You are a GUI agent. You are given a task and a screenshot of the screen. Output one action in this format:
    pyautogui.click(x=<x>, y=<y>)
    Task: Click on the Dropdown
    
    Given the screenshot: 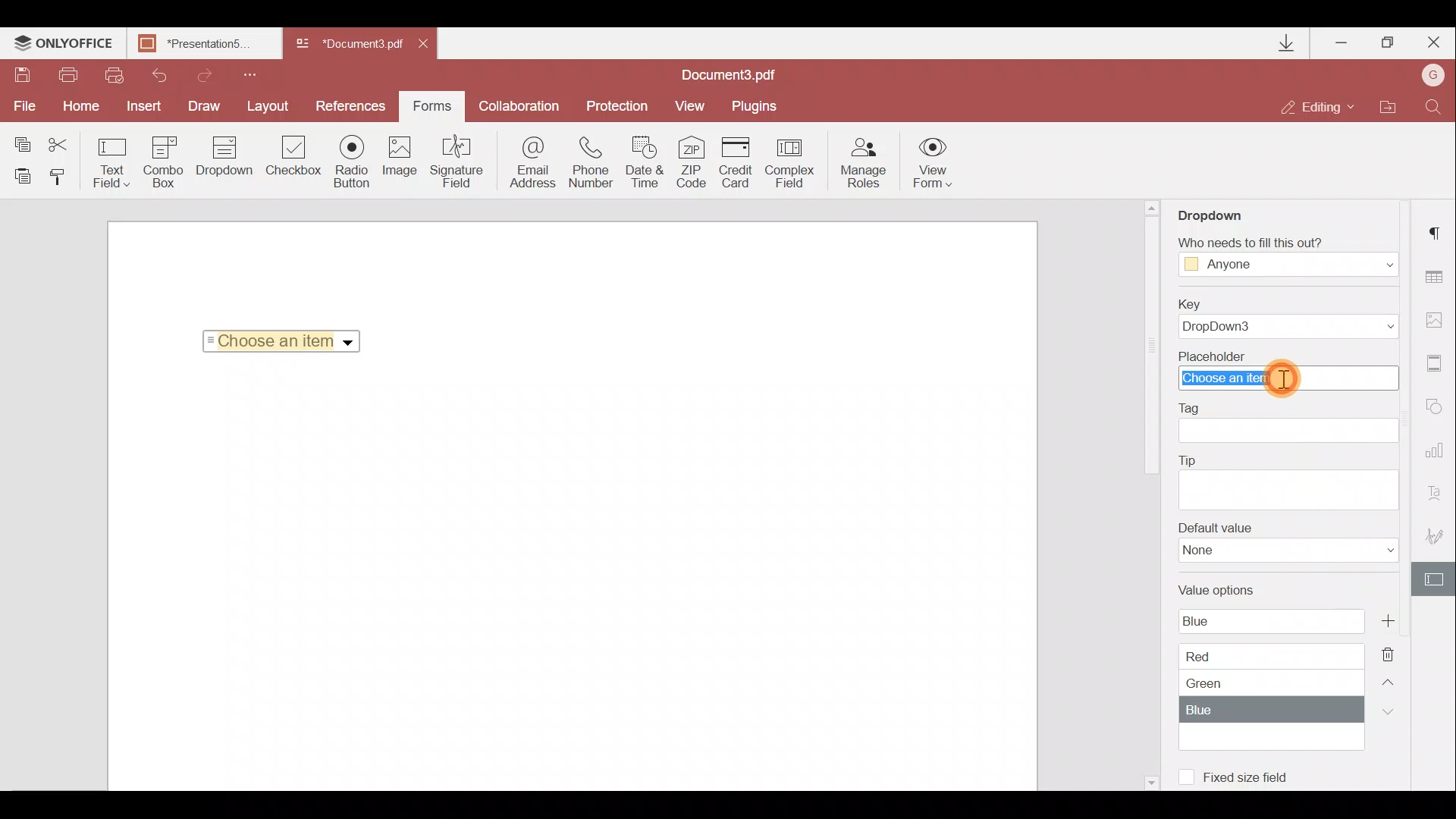 What is the action you would take?
    pyautogui.click(x=221, y=165)
    